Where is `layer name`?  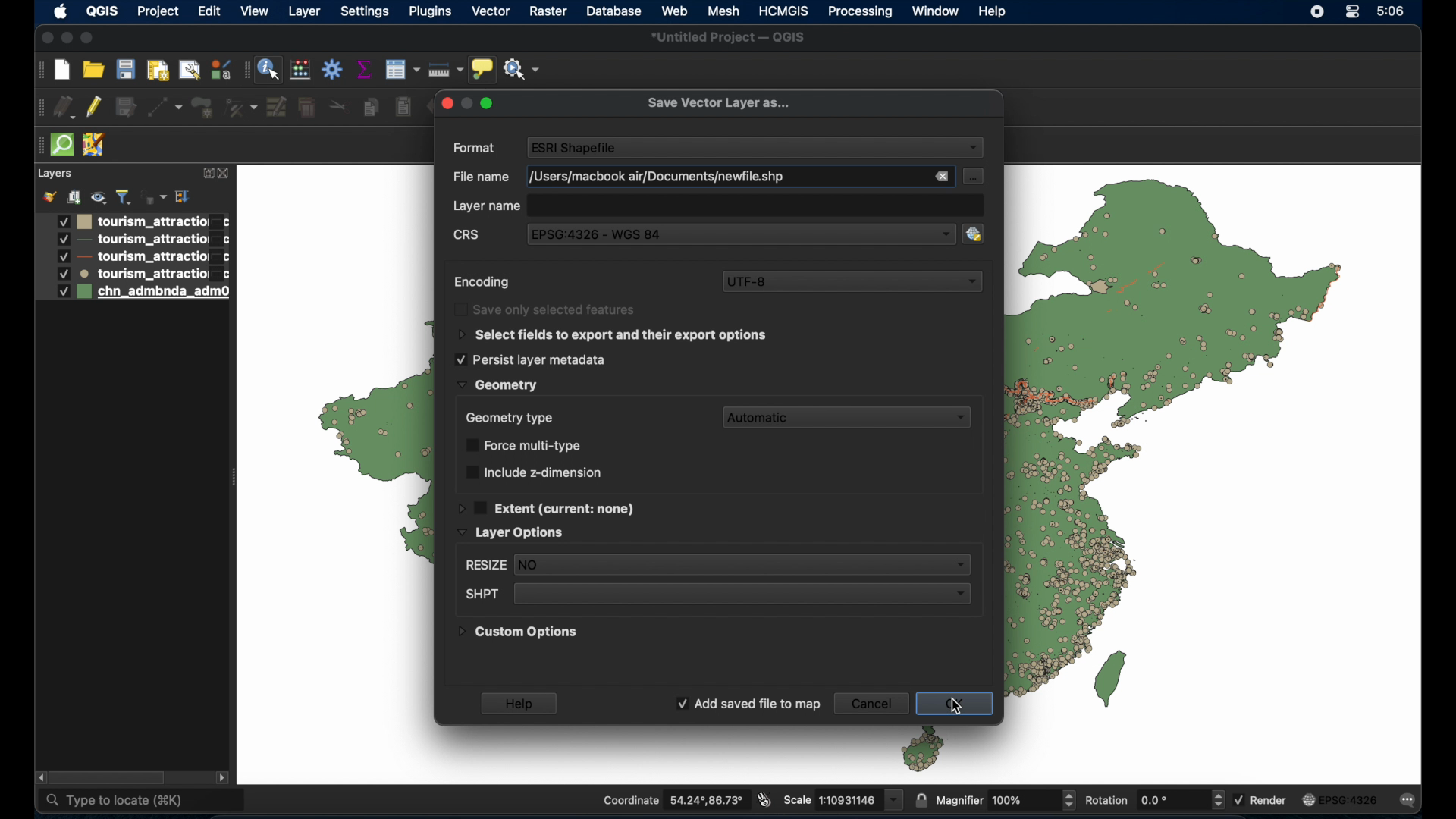
layer name is located at coordinates (488, 207).